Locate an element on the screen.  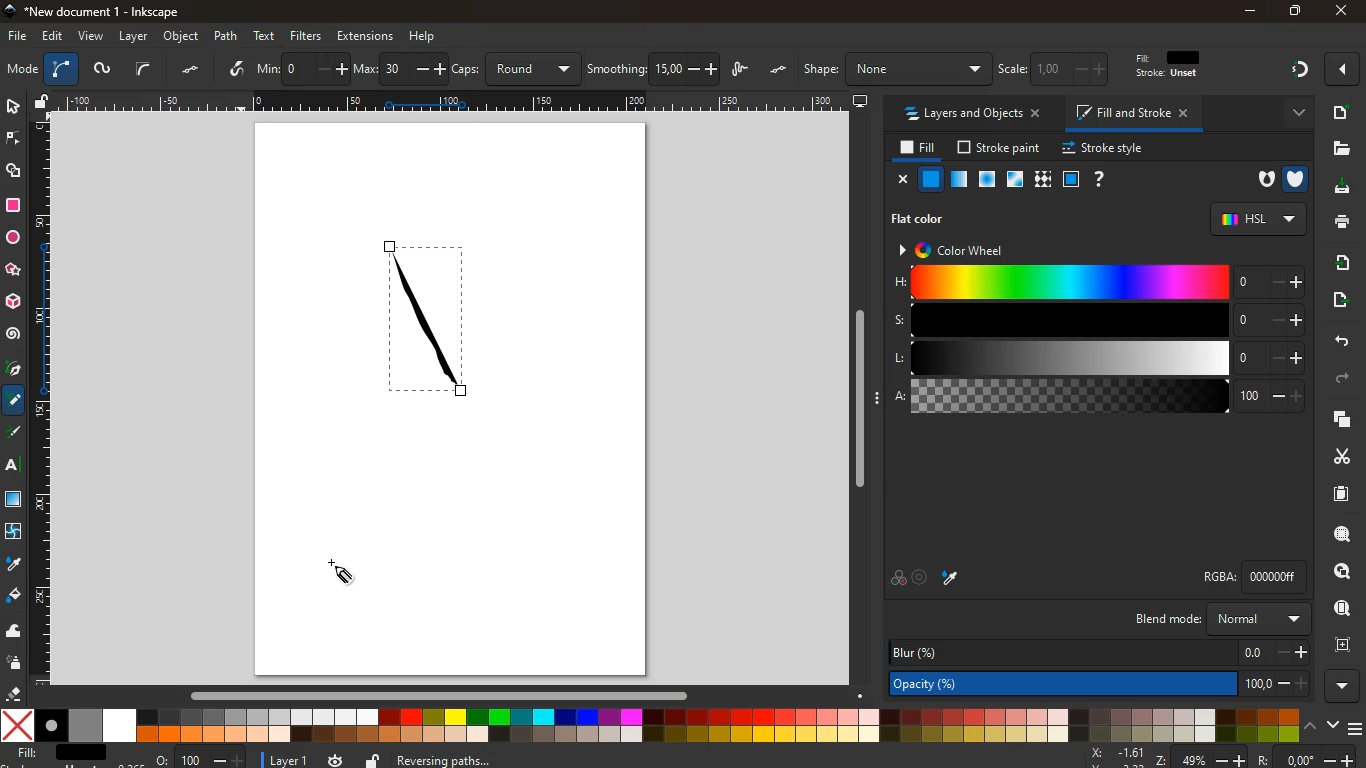
mode is located at coordinates (22, 71).